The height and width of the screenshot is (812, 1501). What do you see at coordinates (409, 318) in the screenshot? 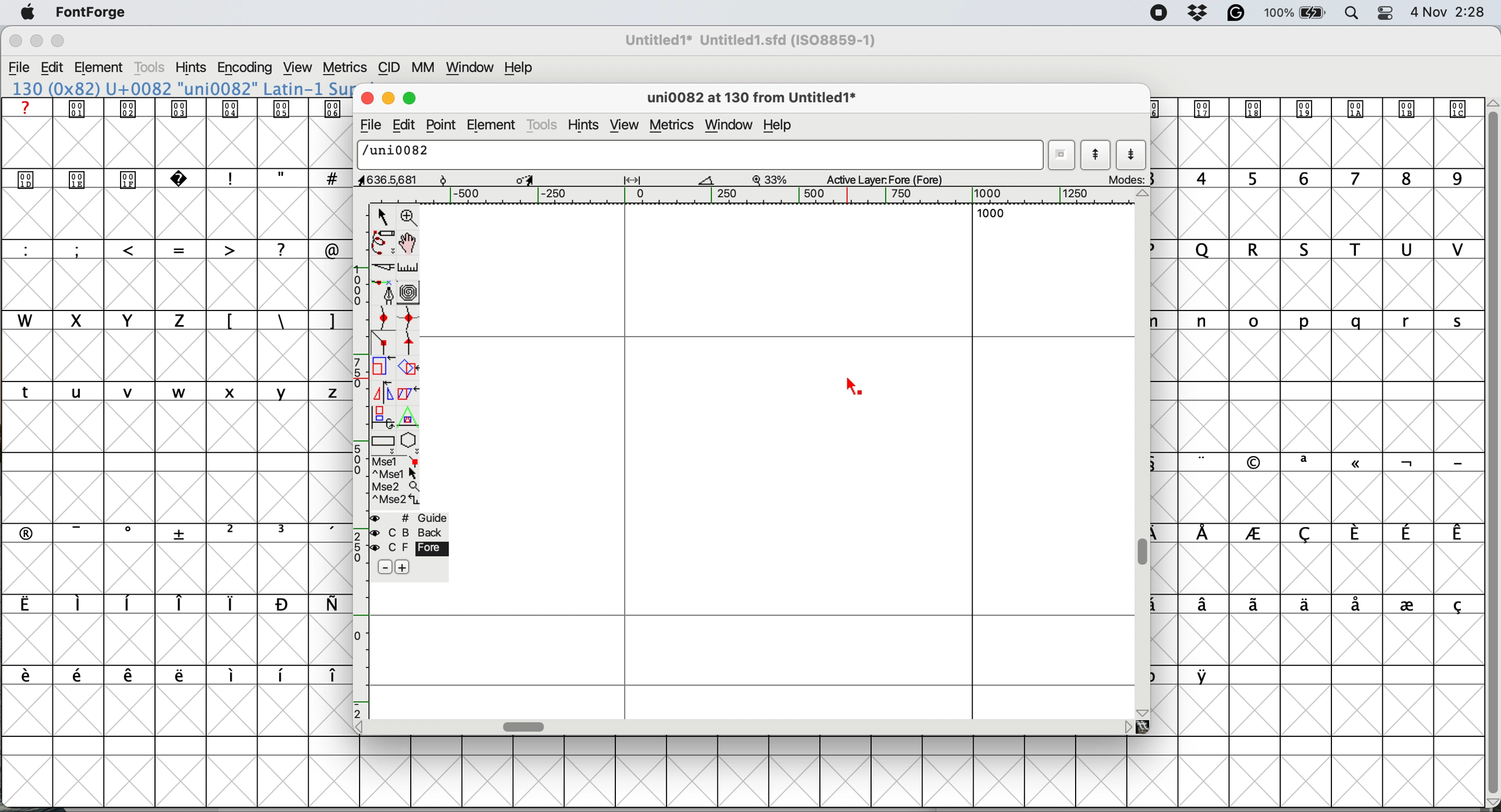
I see `add a curve point horizontal or vertical` at bounding box center [409, 318].